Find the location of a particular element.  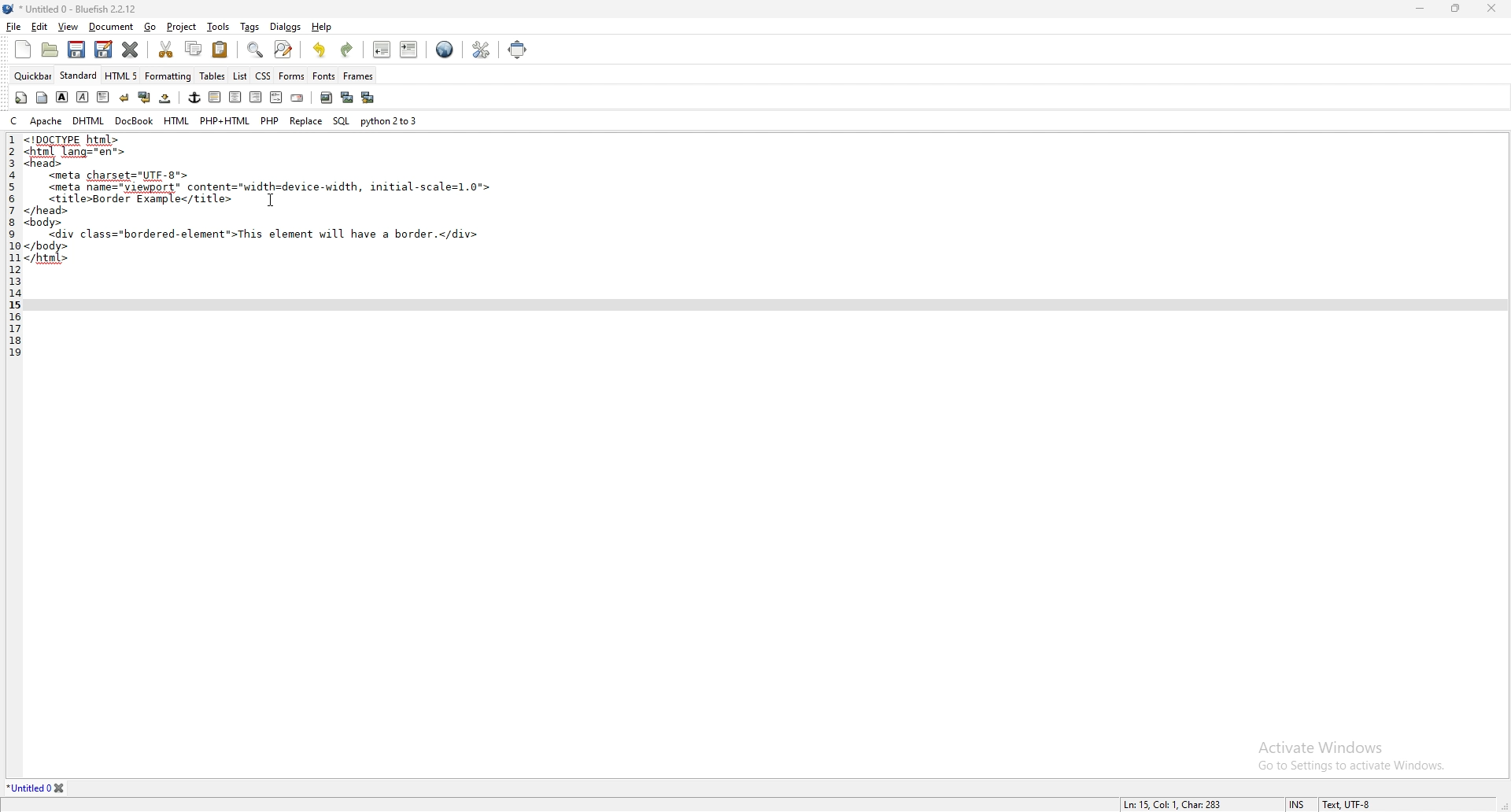

insert thumbnail is located at coordinates (347, 98).